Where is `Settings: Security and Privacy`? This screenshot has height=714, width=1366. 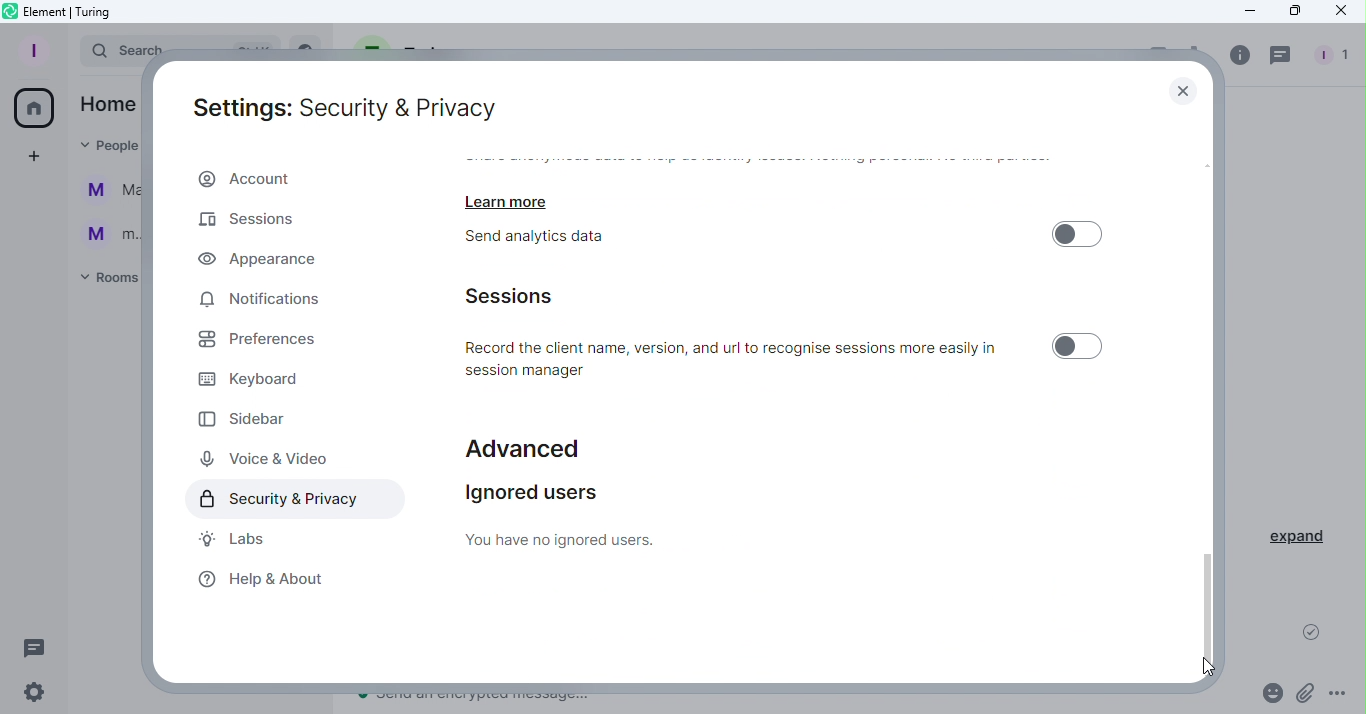
Settings: Security and Privacy is located at coordinates (347, 104).